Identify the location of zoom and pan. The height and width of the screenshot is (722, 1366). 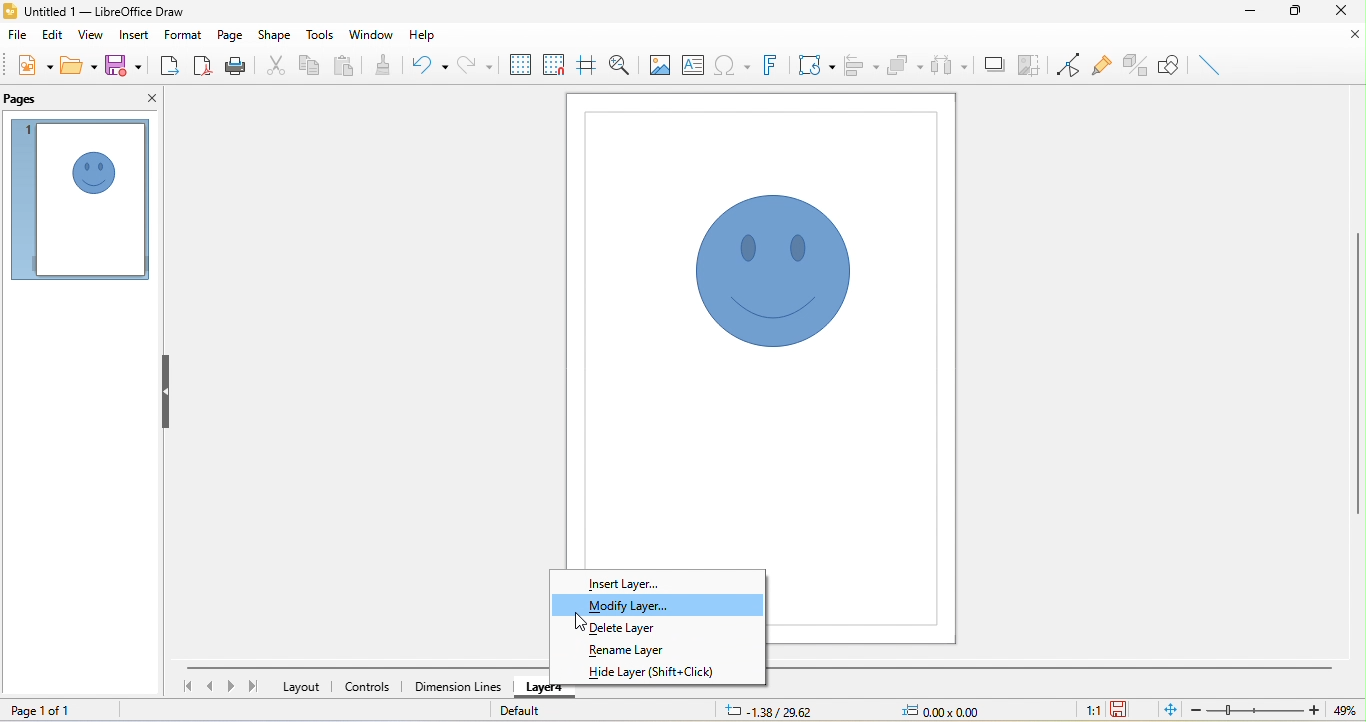
(622, 64).